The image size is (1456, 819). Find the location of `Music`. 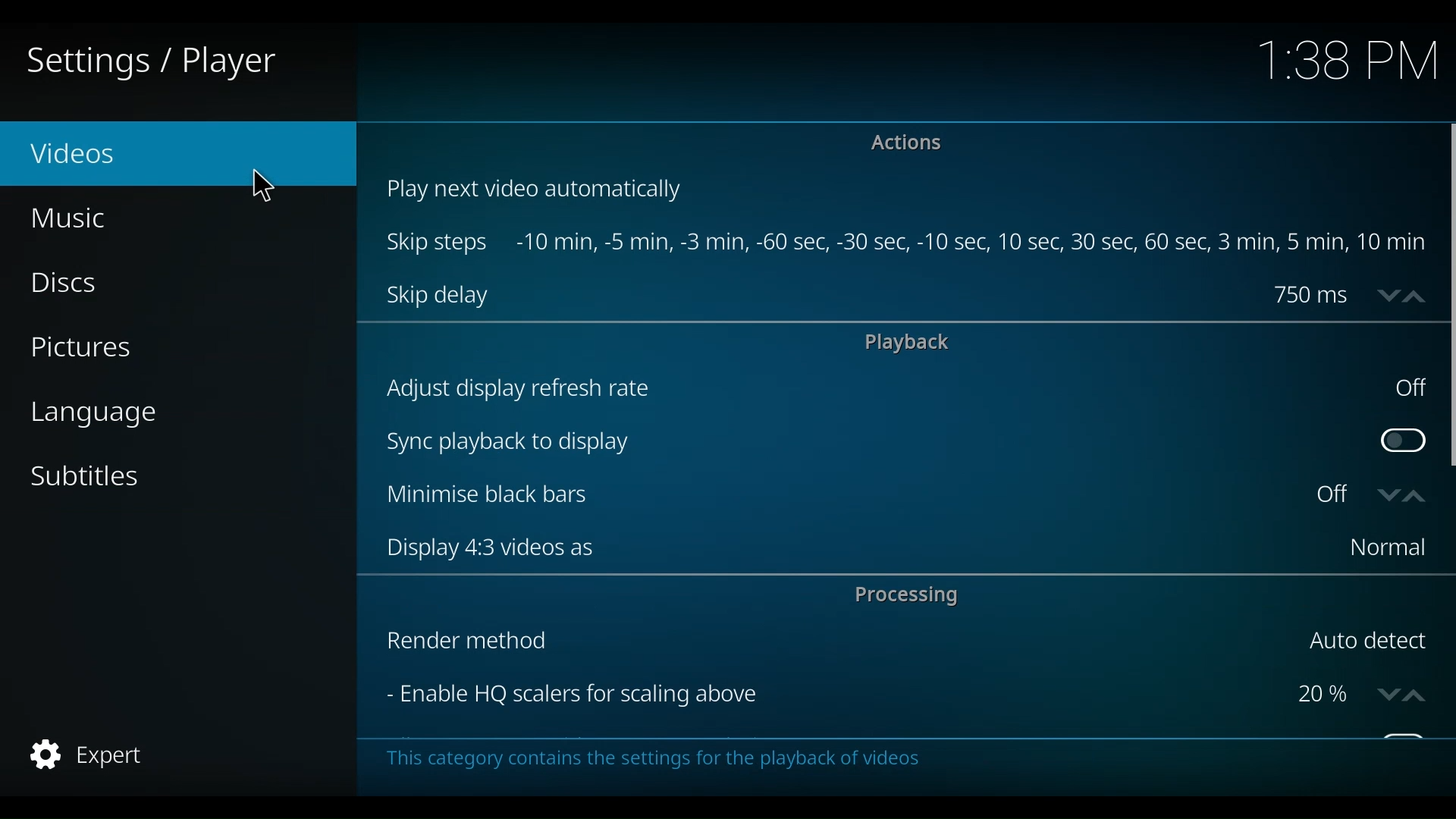

Music is located at coordinates (72, 218).